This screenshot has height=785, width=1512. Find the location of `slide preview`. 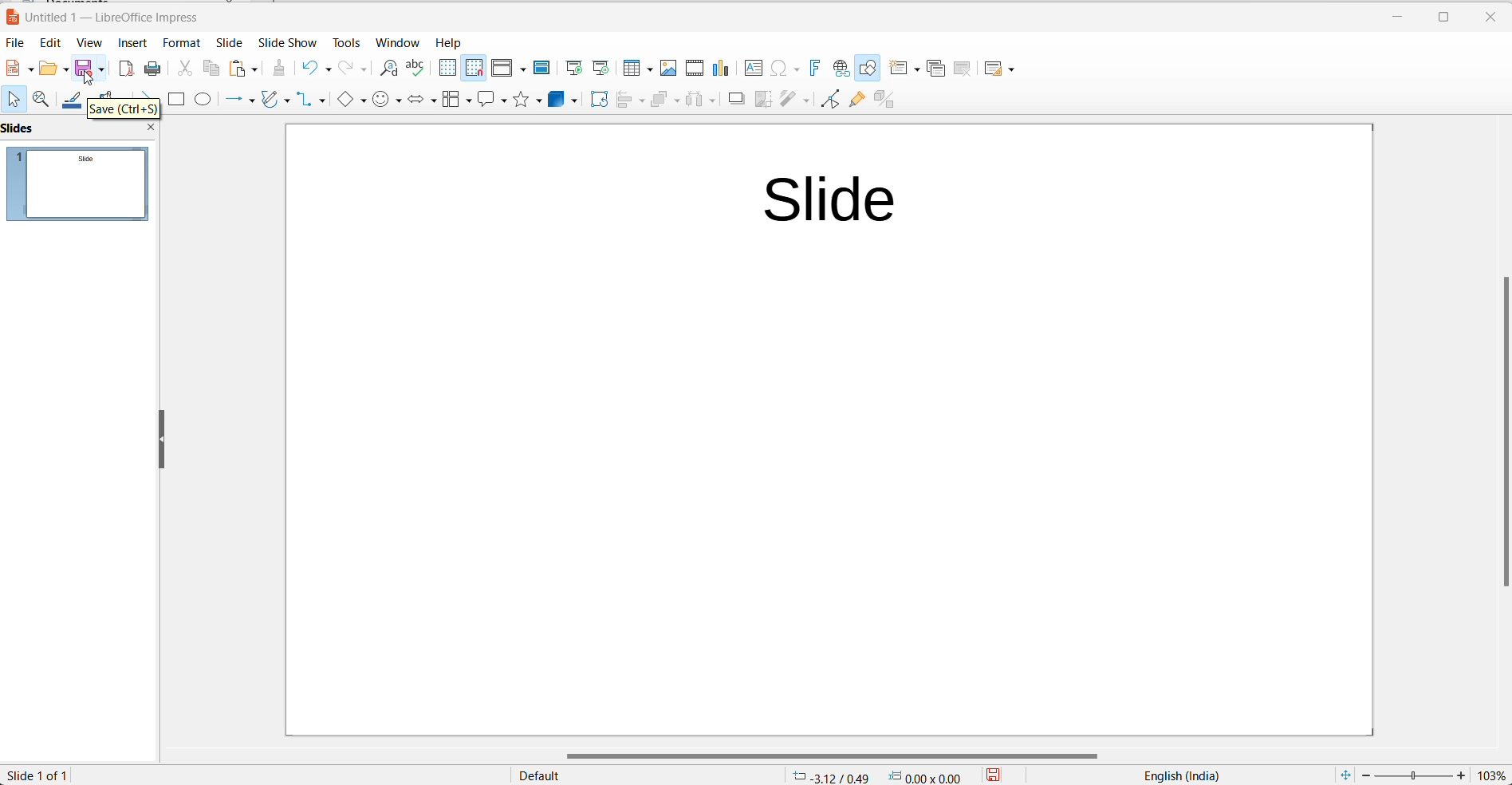

slide preview is located at coordinates (80, 187).